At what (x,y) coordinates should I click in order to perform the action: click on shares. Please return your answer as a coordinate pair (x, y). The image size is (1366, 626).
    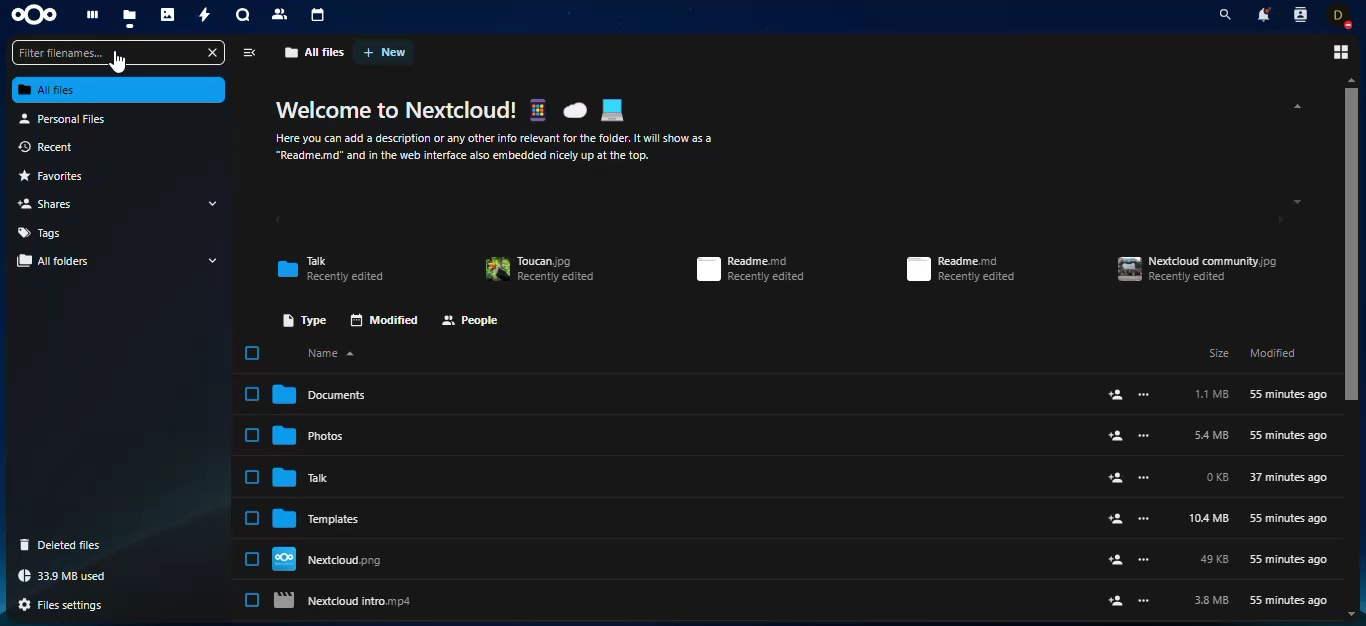
    Looking at the image, I should click on (53, 203).